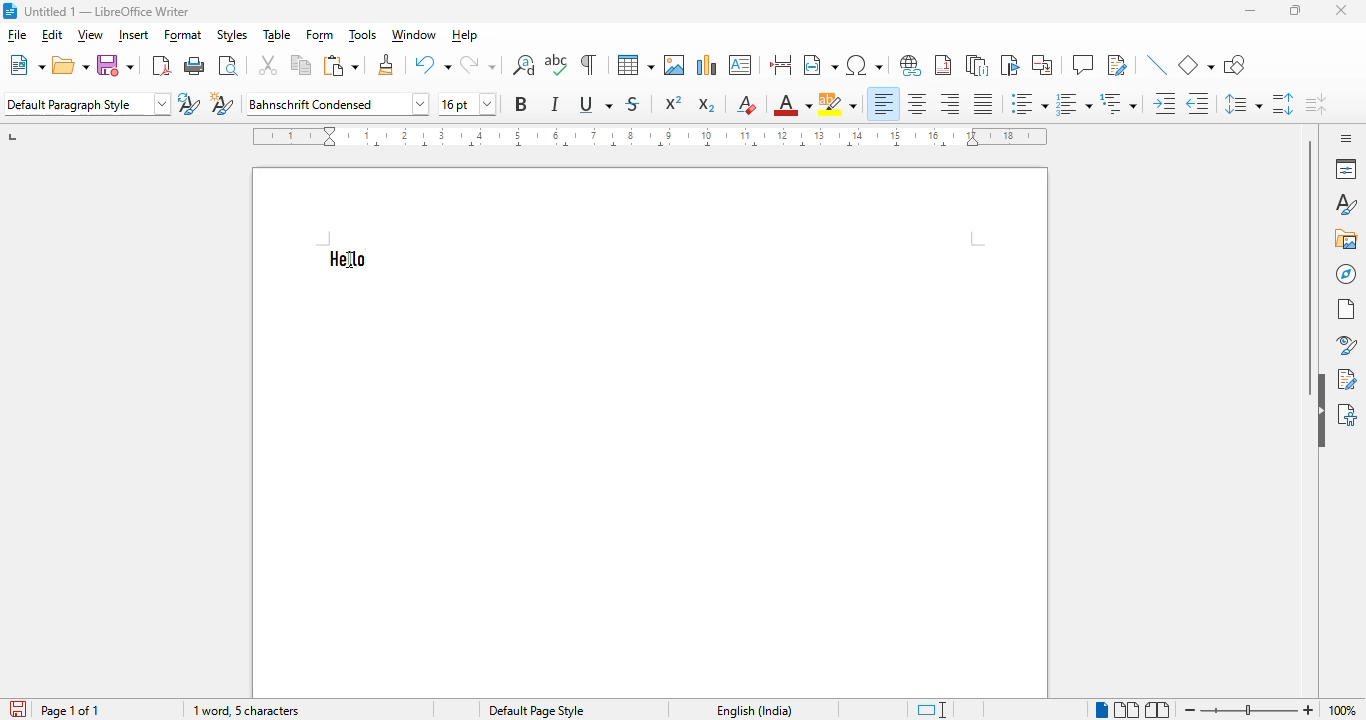  I want to click on insert endnote, so click(978, 64).